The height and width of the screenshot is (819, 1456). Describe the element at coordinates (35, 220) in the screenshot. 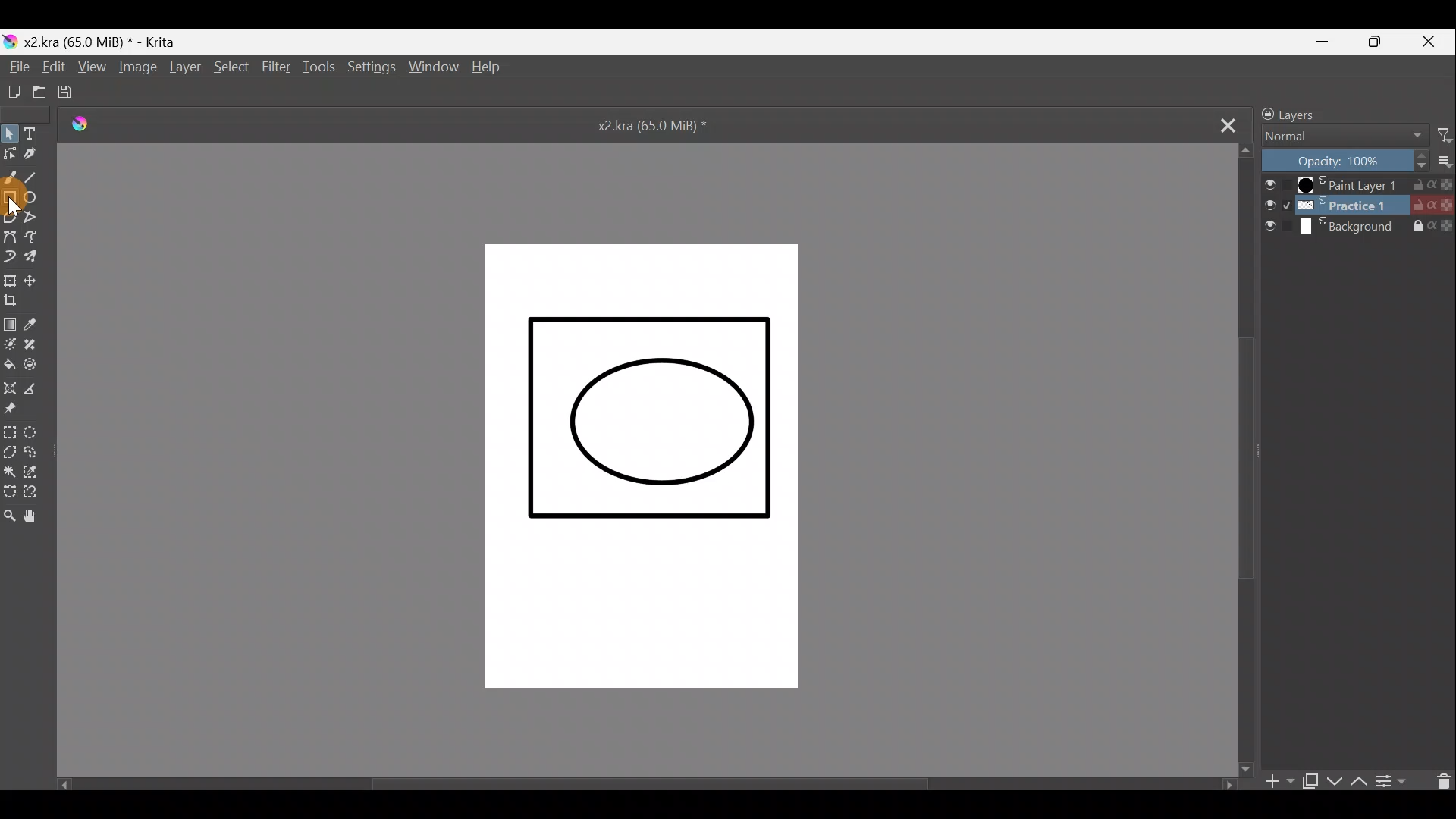

I see `Polyline tool` at that location.